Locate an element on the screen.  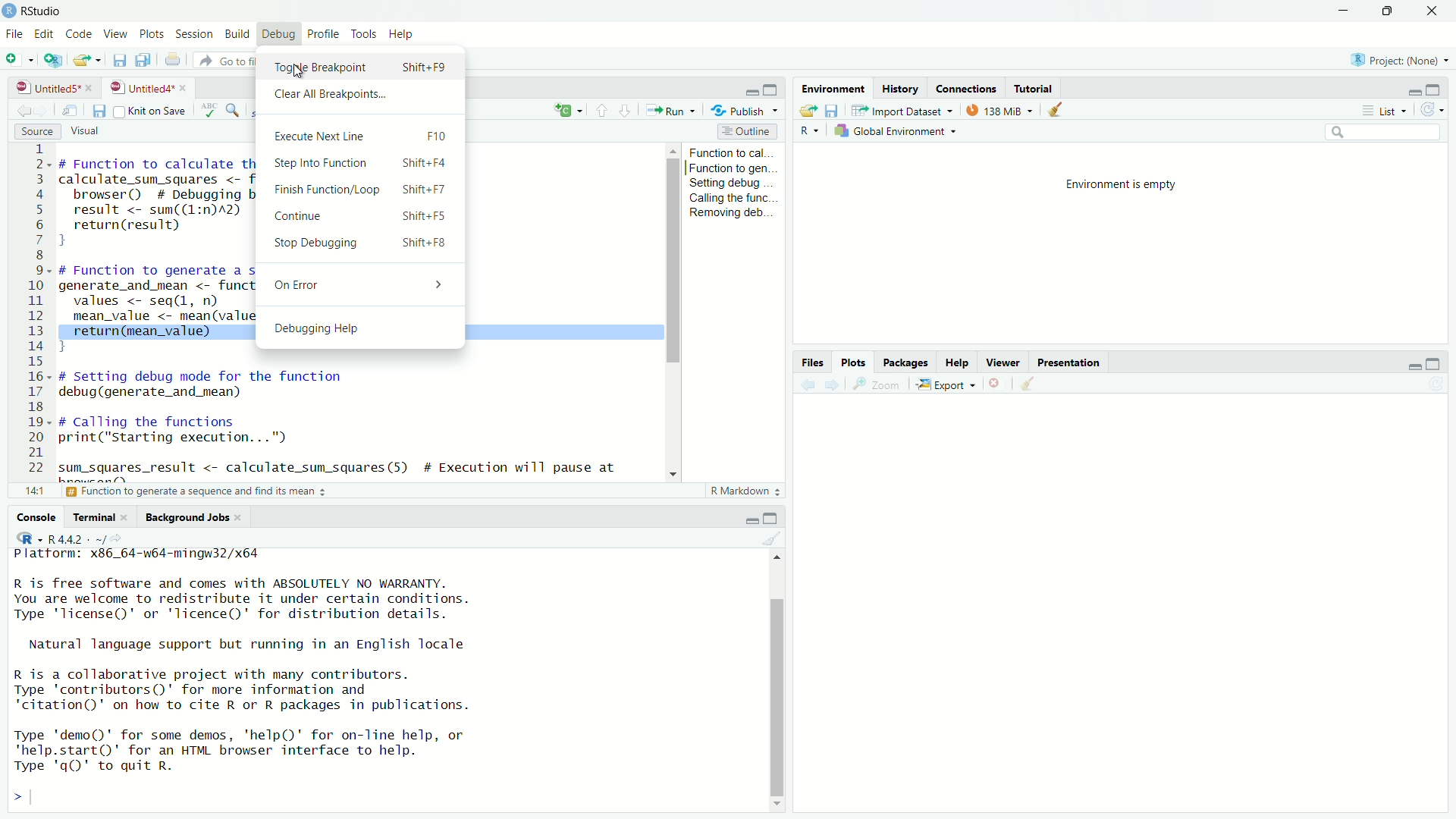
connections is located at coordinates (965, 87).